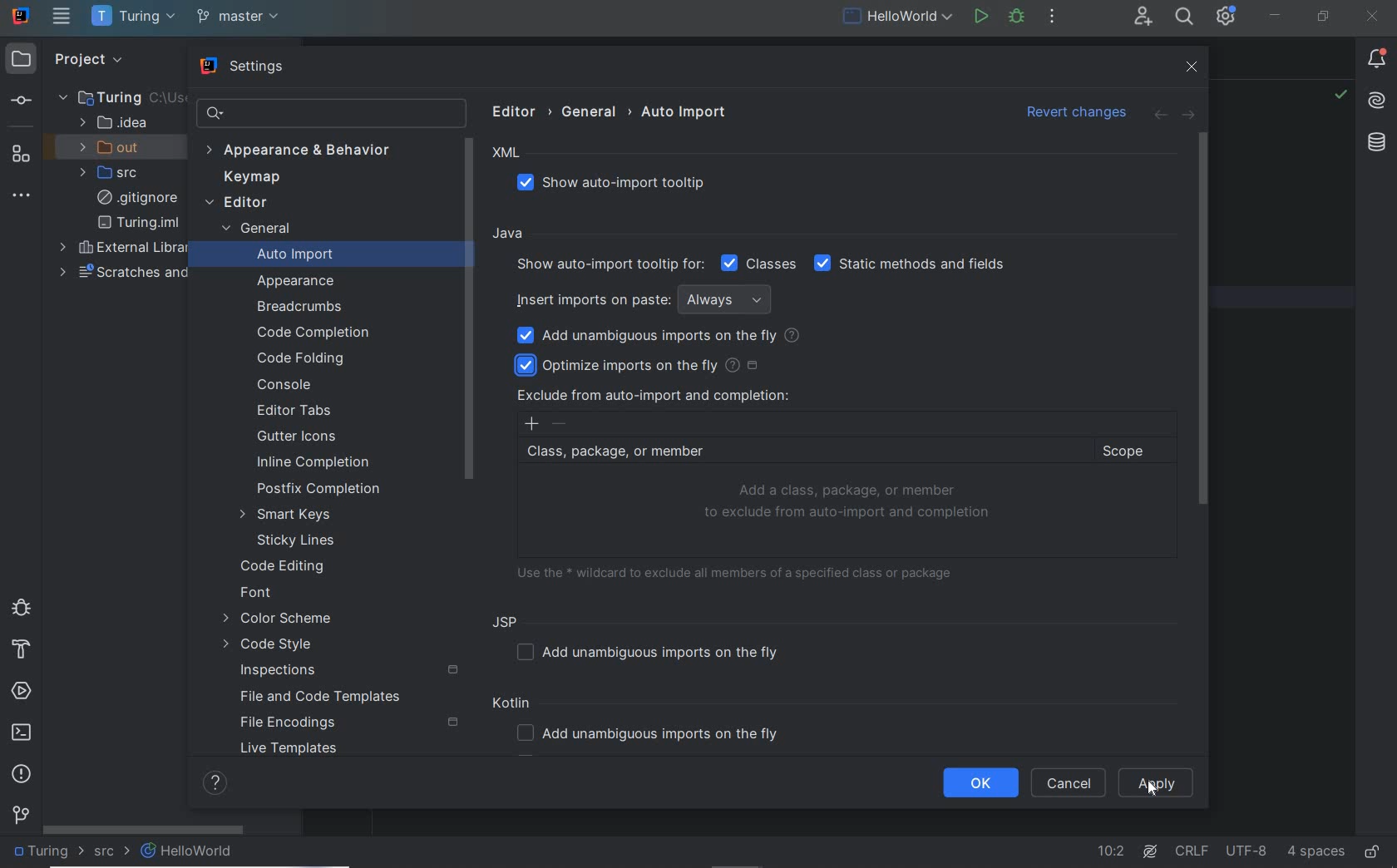 The height and width of the screenshot is (868, 1397). Describe the element at coordinates (654, 652) in the screenshot. I see `ADD UNAMBIGUOUS IMPORTS ON THE FLY` at that location.